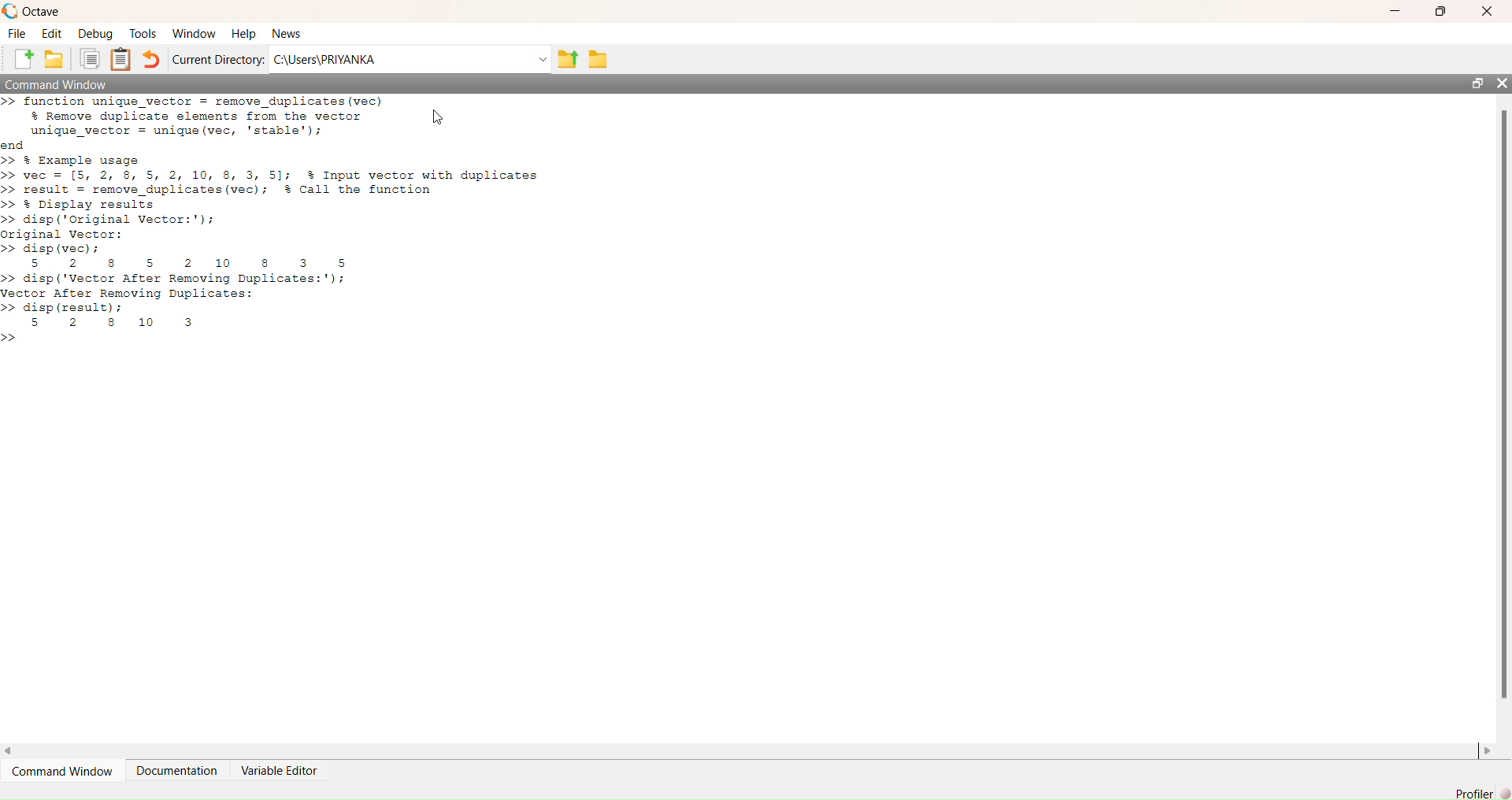 This screenshot has height=800, width=1512. I want to click on scroll left, so click(9, 753).